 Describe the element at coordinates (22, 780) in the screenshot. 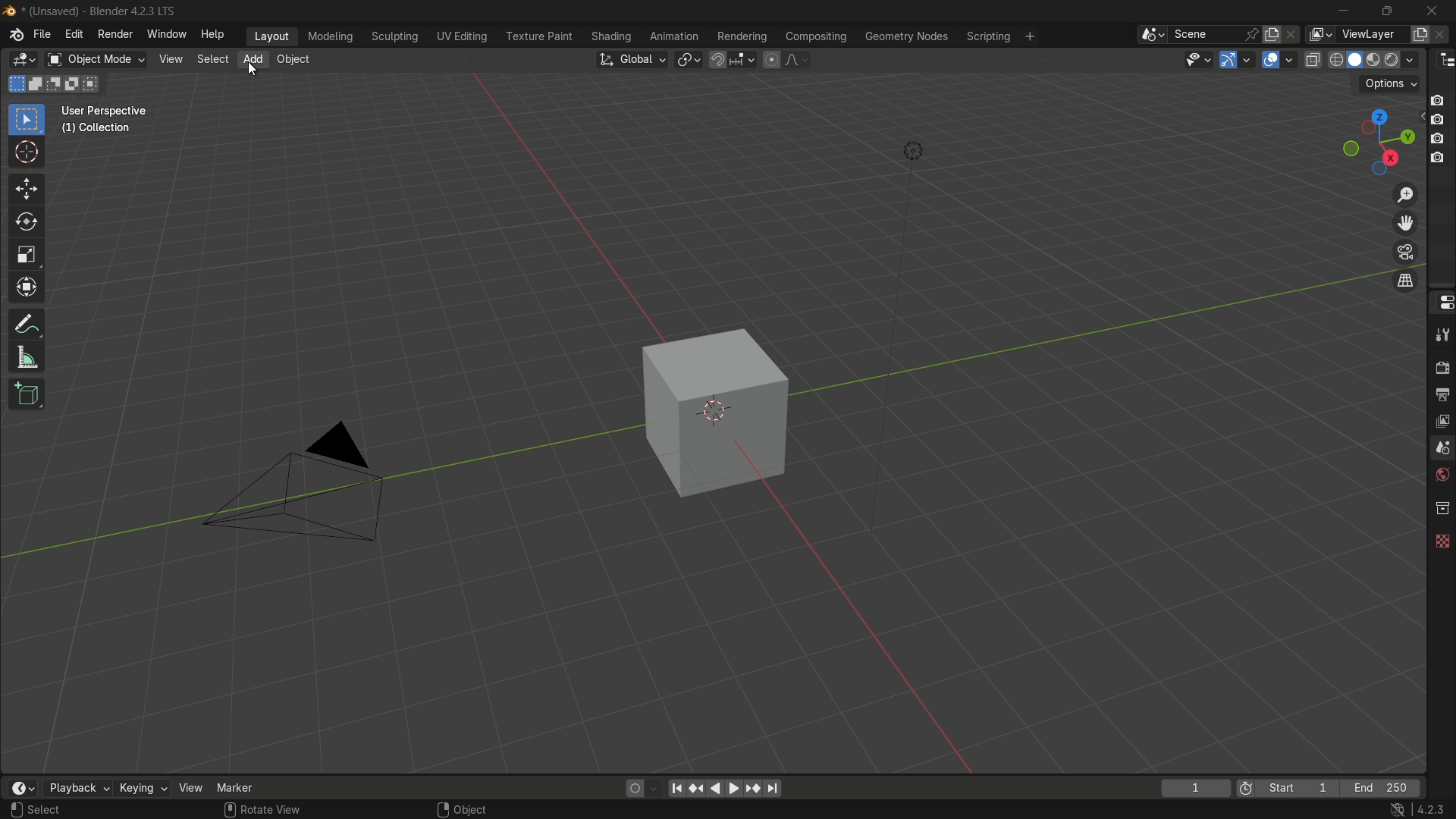

I see `timeline` at that location.